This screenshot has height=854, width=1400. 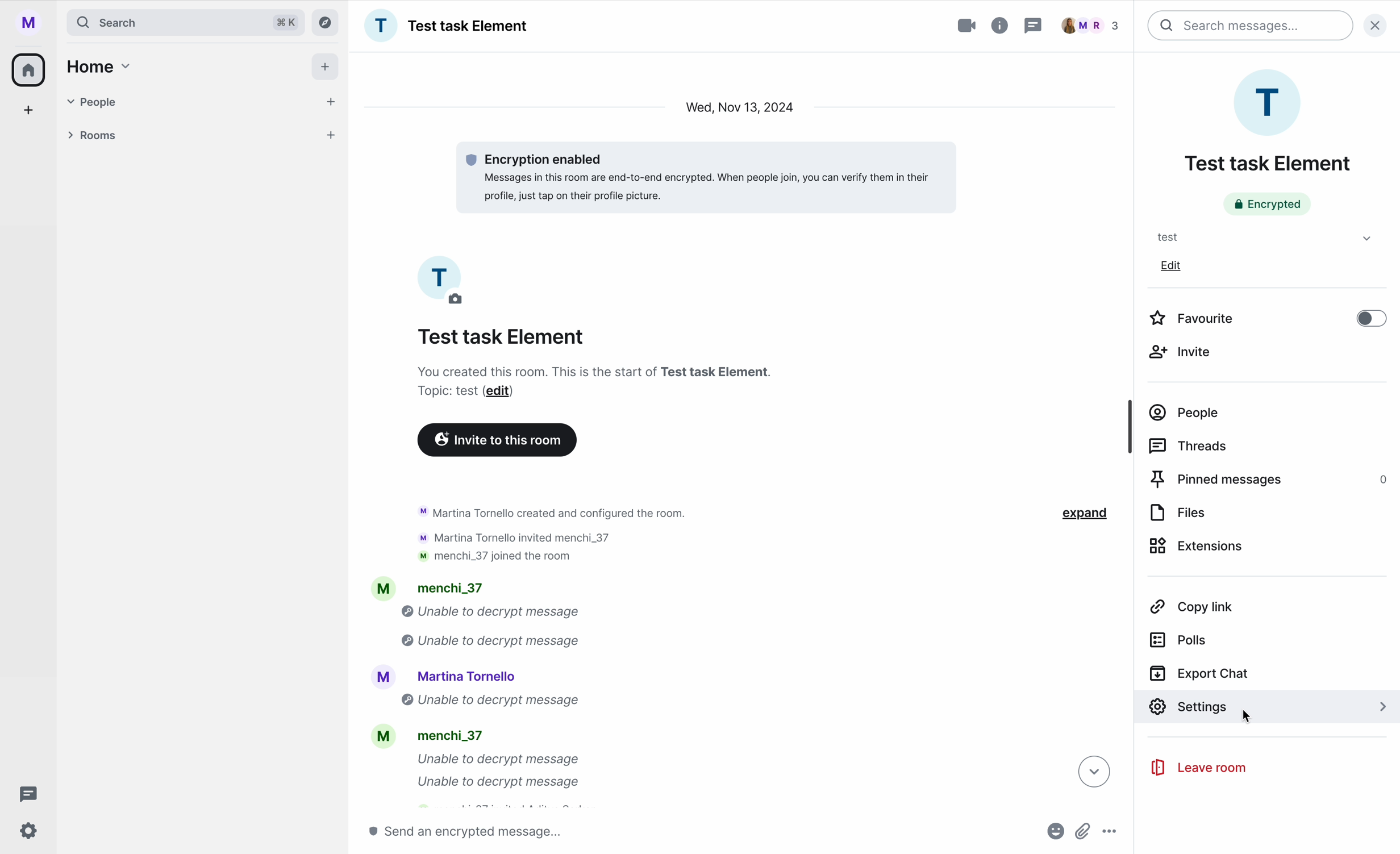 What do you see at coordinates (25, 793) in the screenshot?
I see `threads` at bounding box center [25, 793].